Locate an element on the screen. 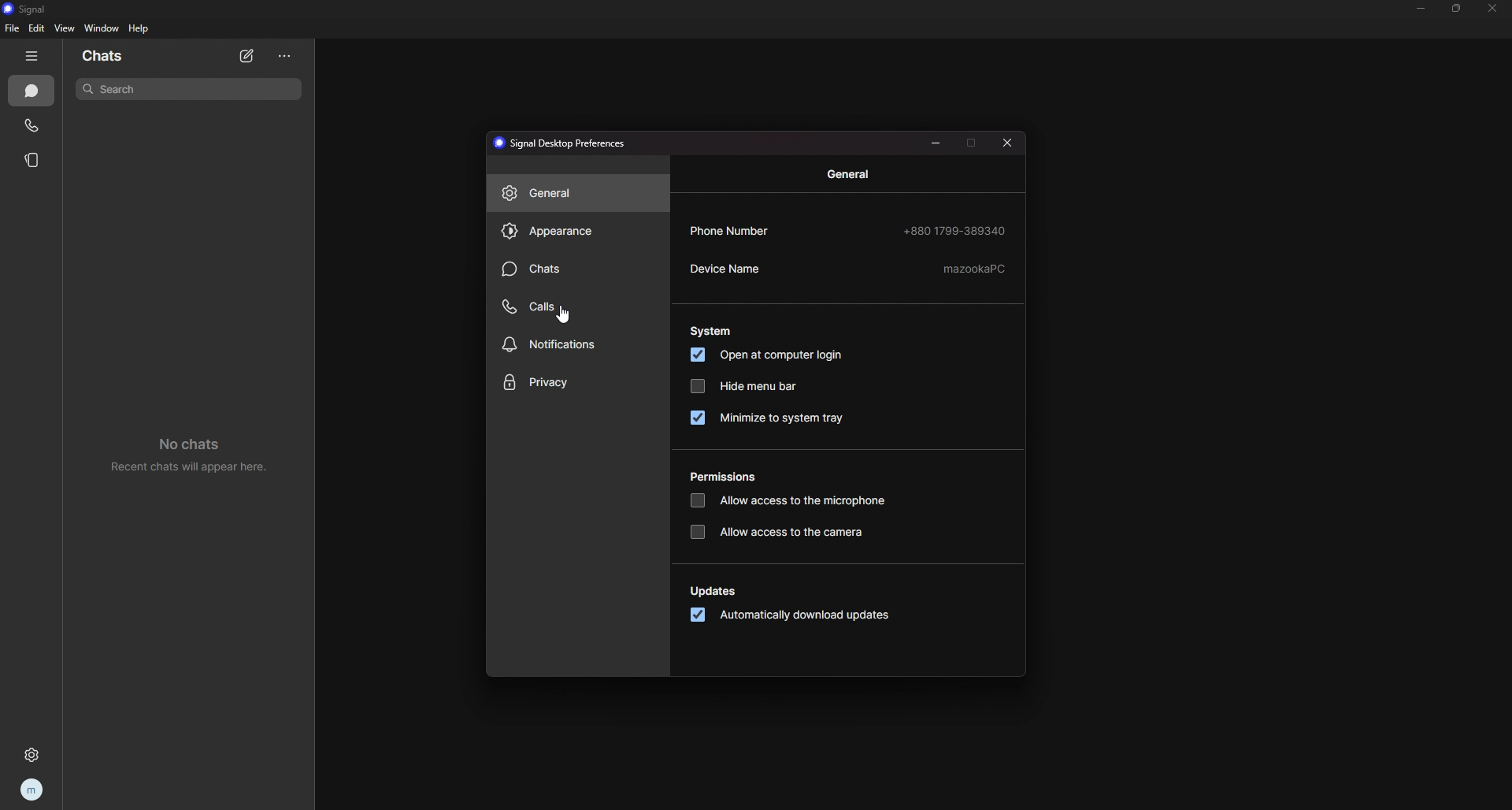 Image resolution: width=1512 pixels, height=810 pixels. general is located at coordinates (574, 193).